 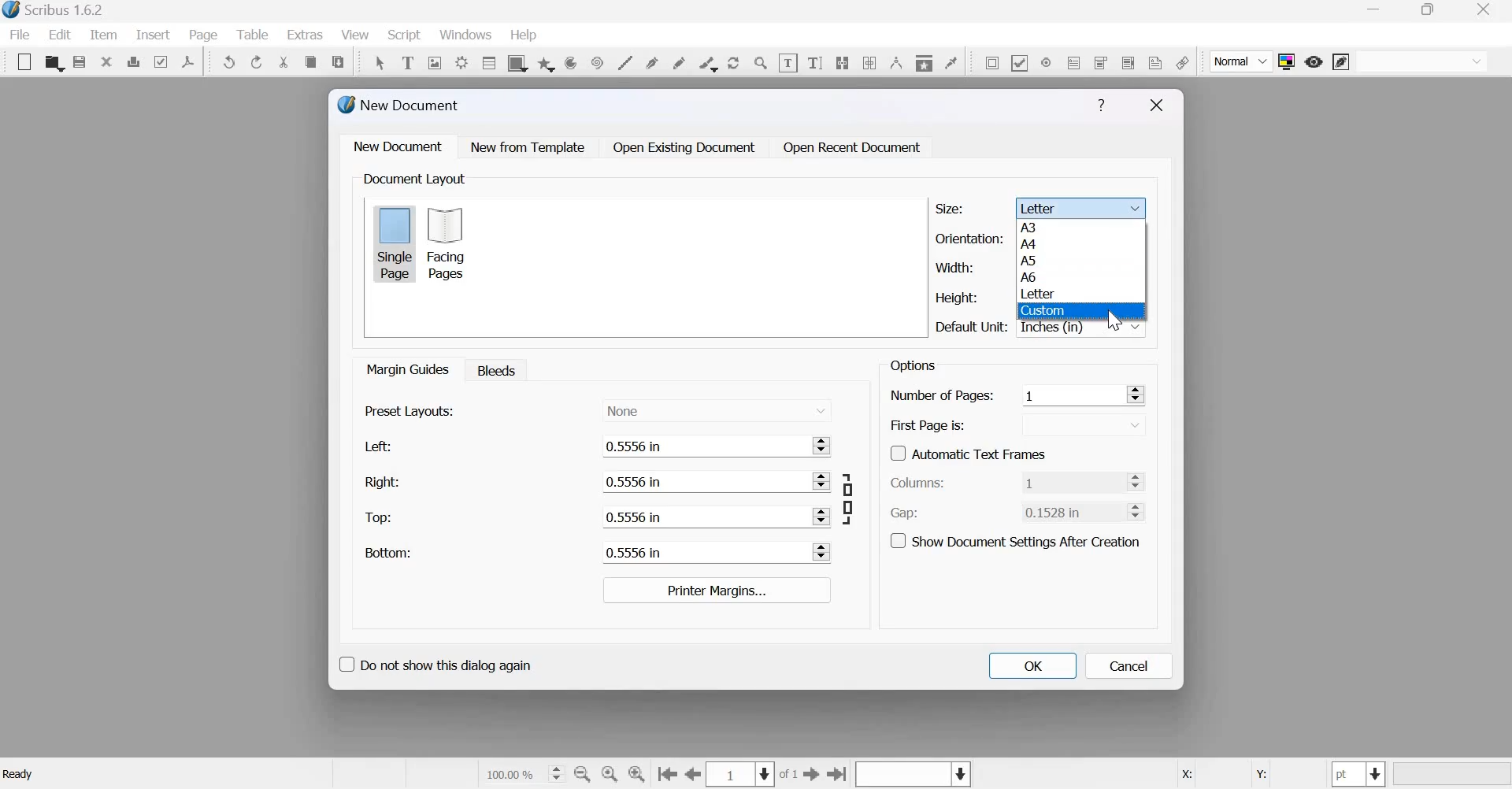 What do you see at coordinates (487, 62) in the screenshot?
I see `table` at bounding box center [487, 62].